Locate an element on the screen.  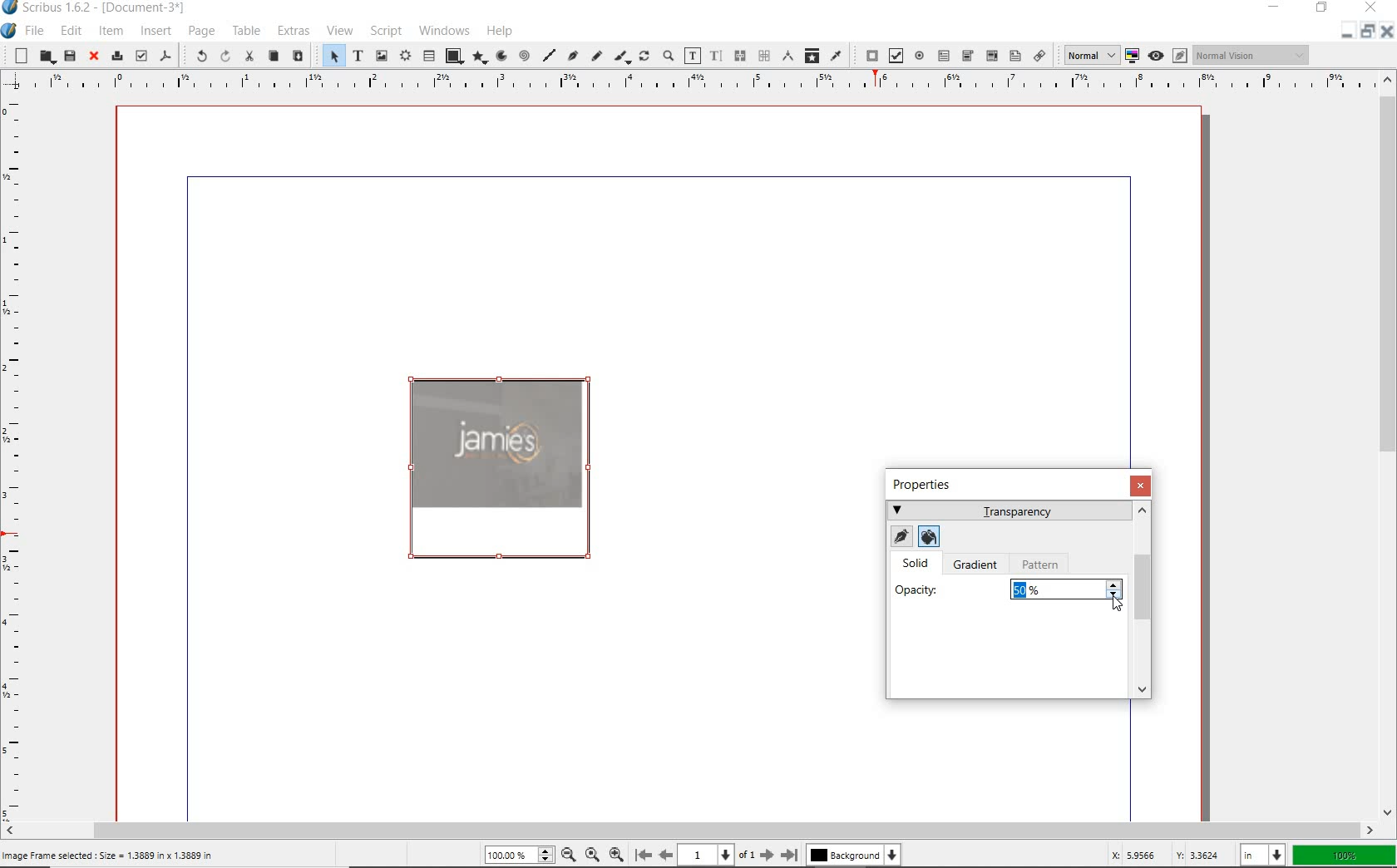
RULER is located at coordinates (17, 454).